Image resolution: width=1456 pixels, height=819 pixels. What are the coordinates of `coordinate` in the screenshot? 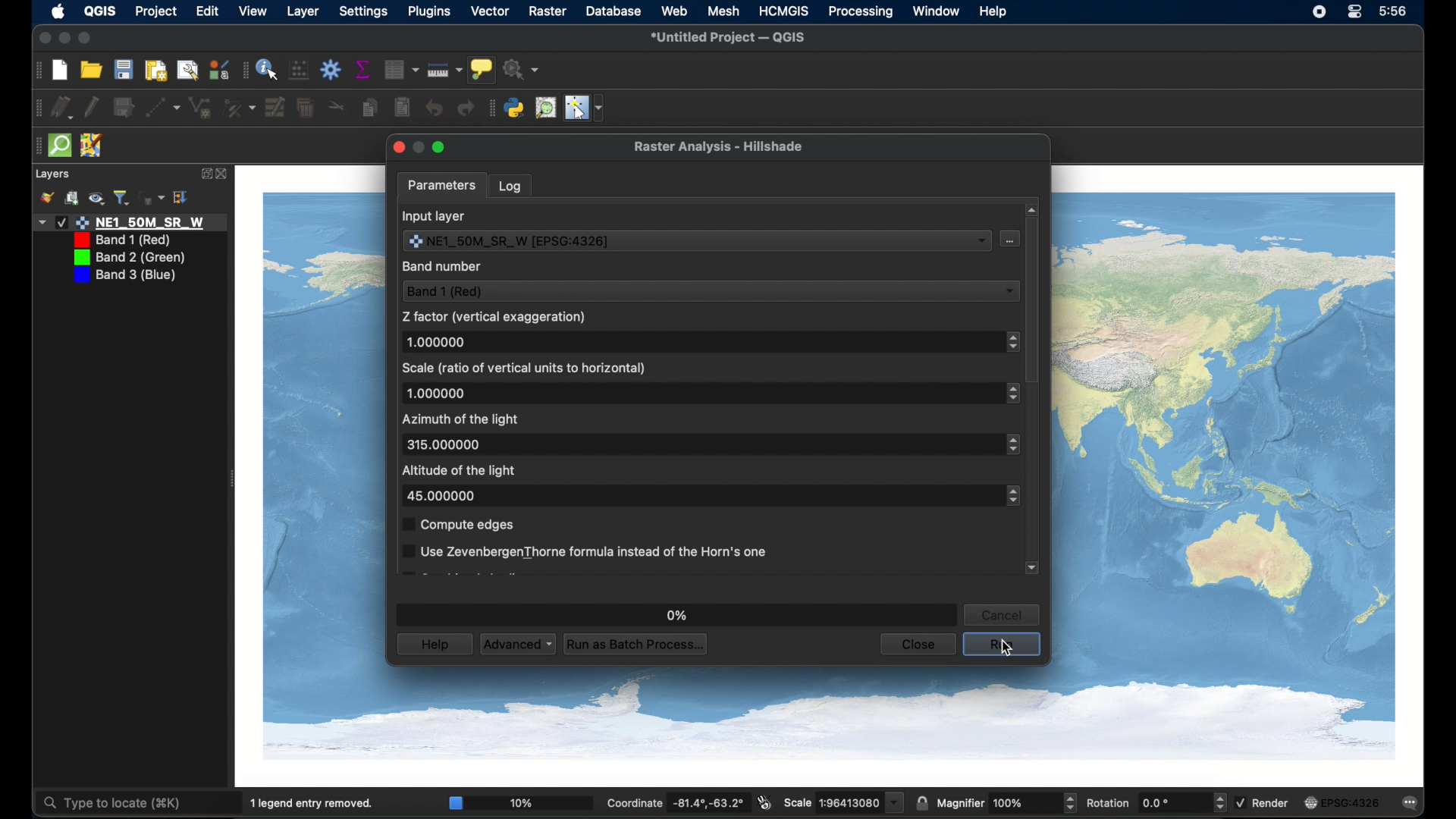 It's located at (675, 802).